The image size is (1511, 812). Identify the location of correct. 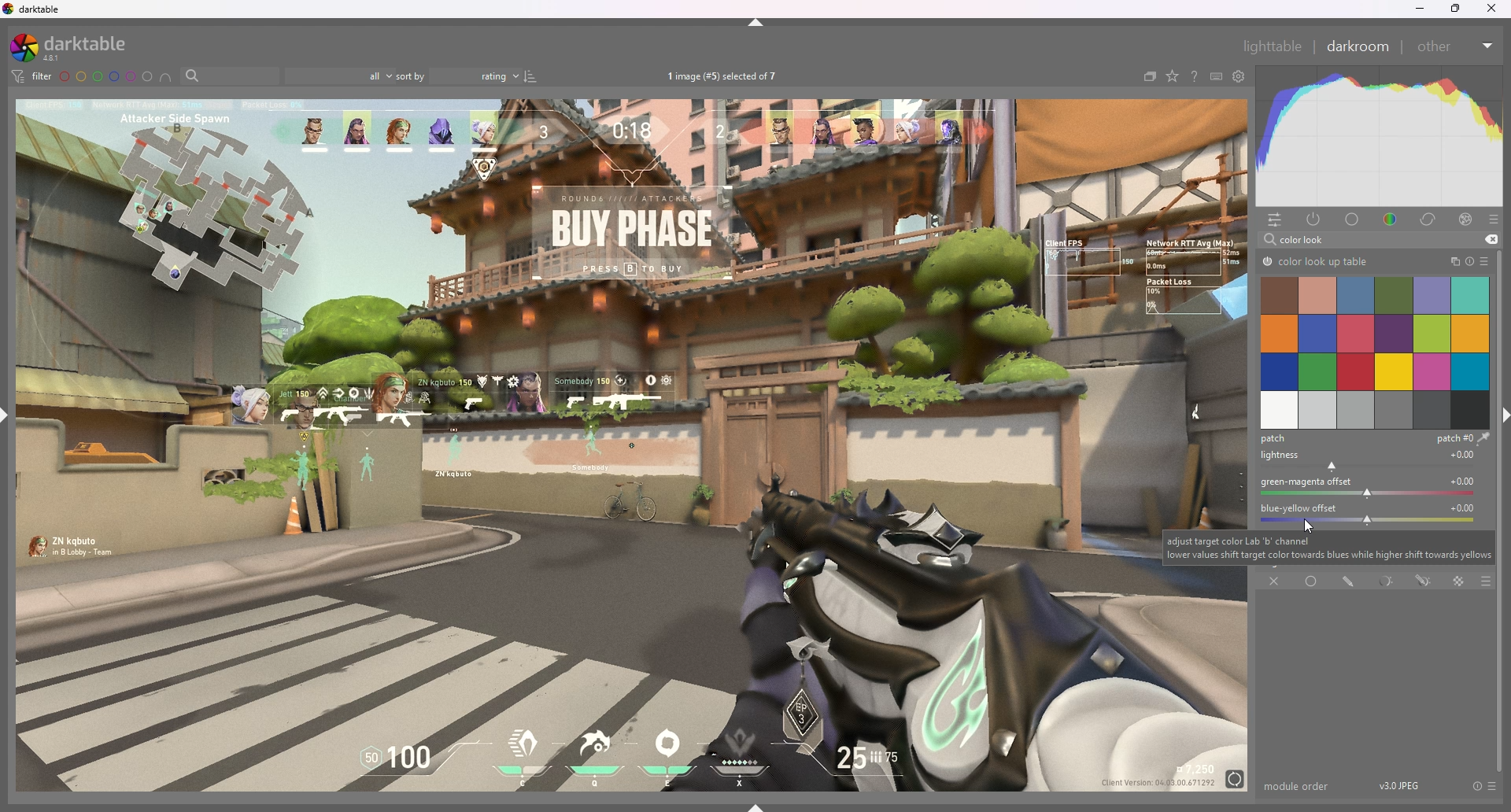
(1430, 219).